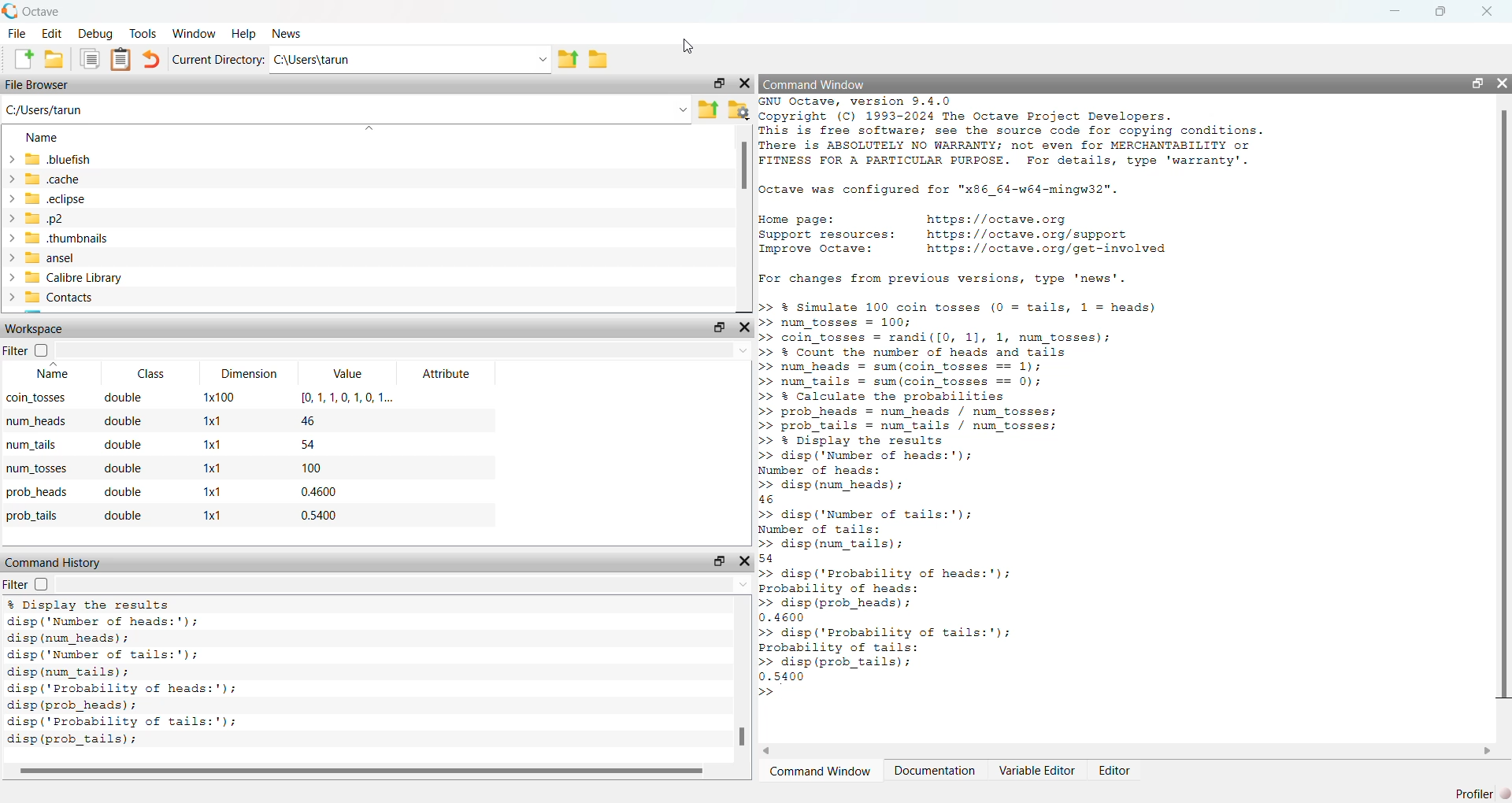  What do you see at coordinates (745, 327) in the screenshot?
I see `close` at bounding box center [745, 327].